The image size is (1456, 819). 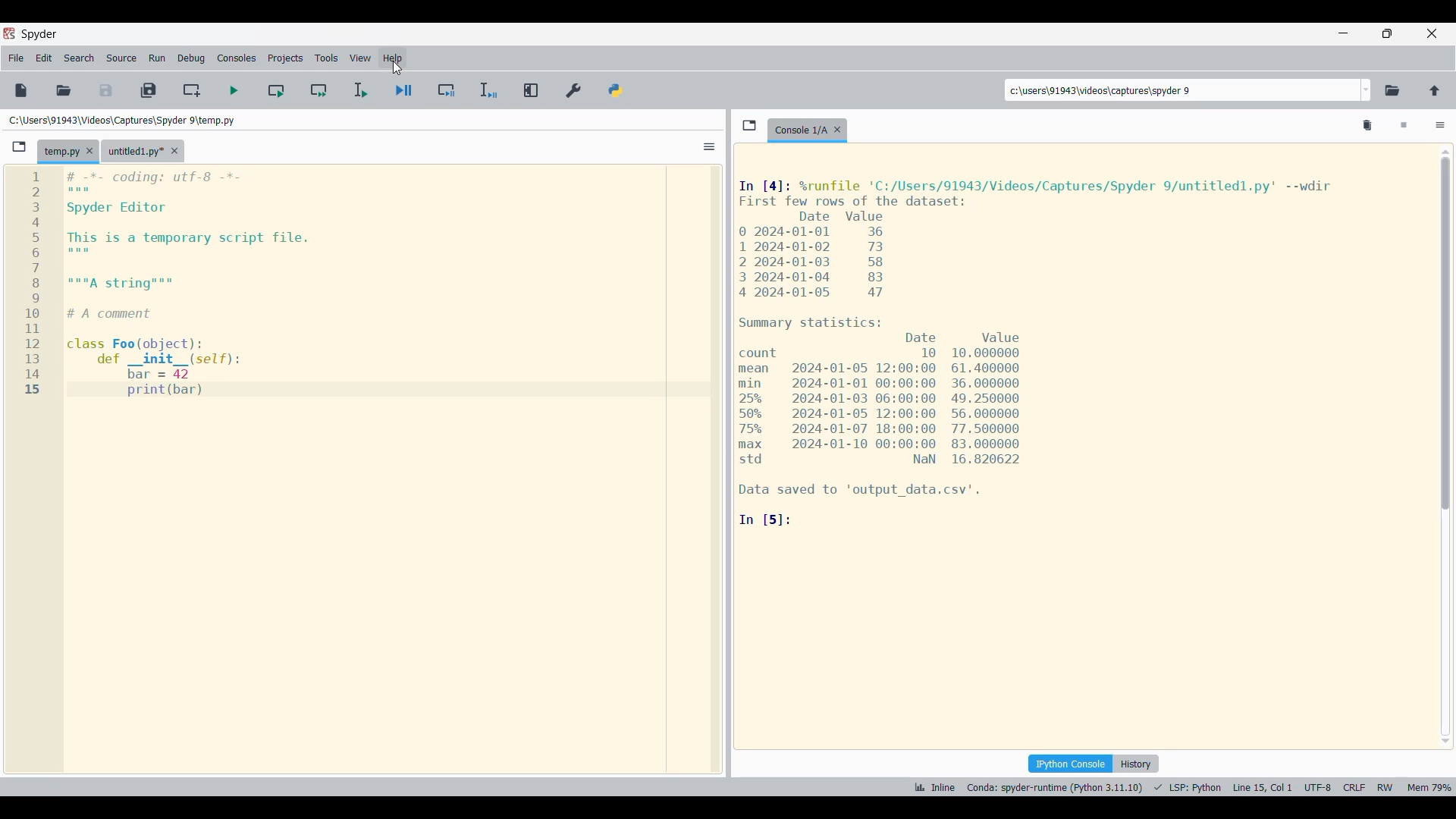 What do you see at coordinates (399, 67) in the screenshot?
I see `cursor` at bounding box center [399, 67].